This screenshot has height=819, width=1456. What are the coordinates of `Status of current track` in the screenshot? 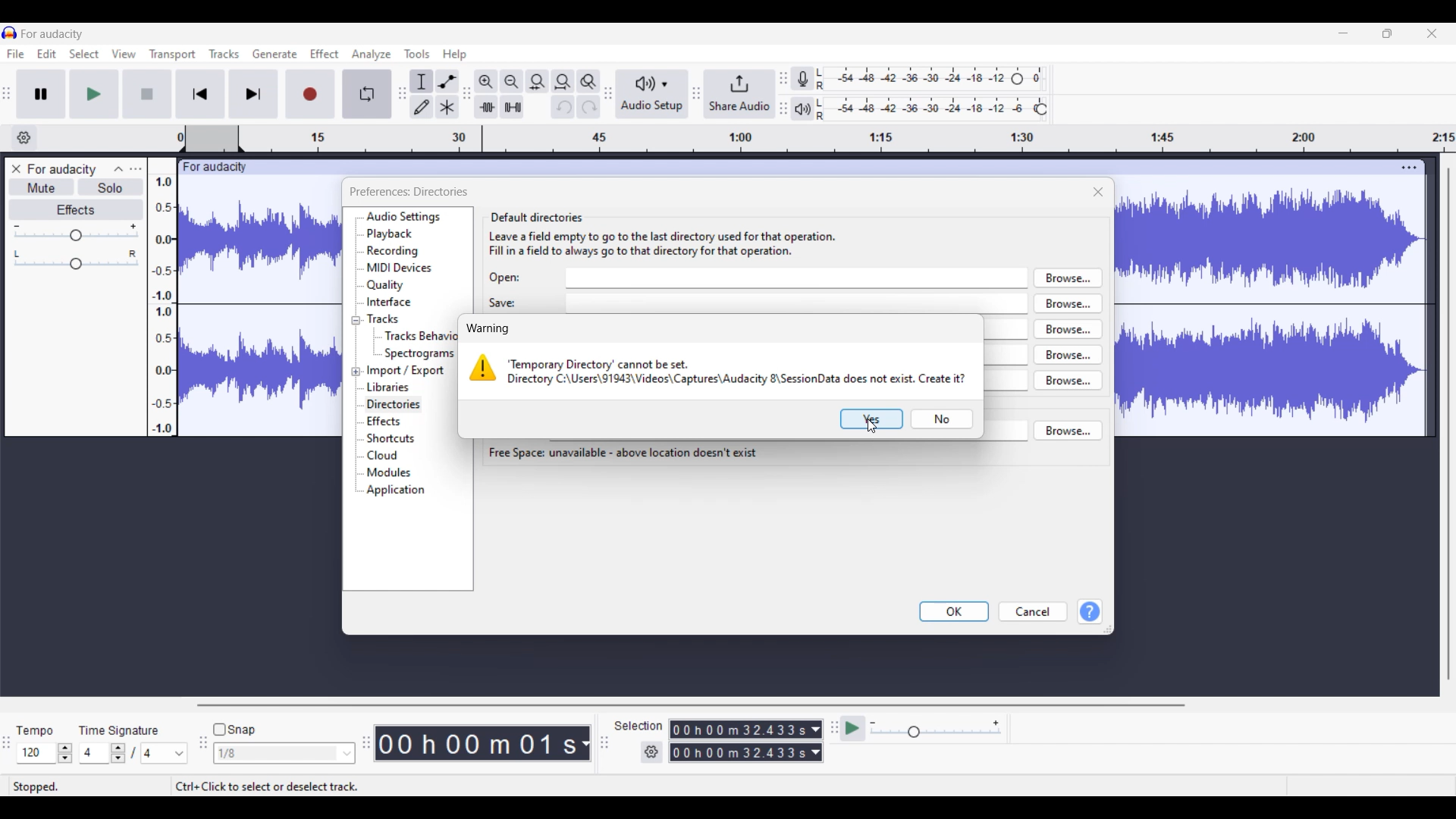 It's located at (38, 786).